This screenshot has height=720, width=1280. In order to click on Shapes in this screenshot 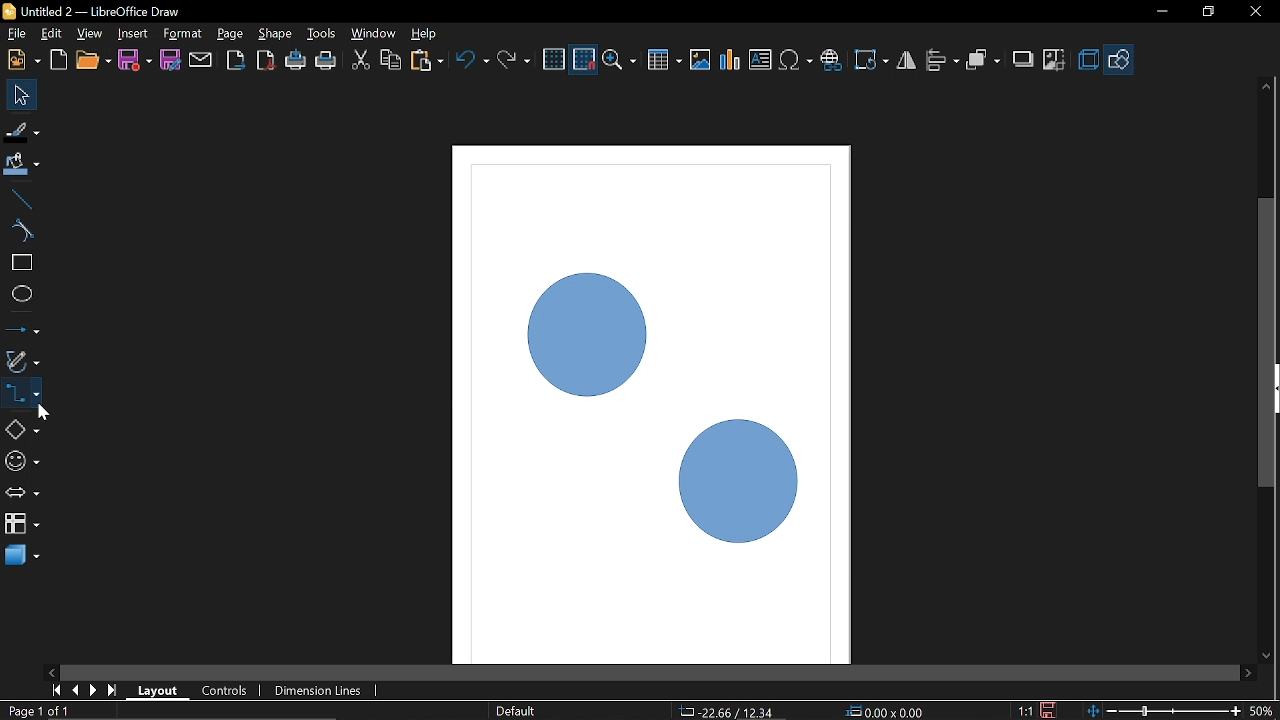, I will do `click(1121, 58)`.